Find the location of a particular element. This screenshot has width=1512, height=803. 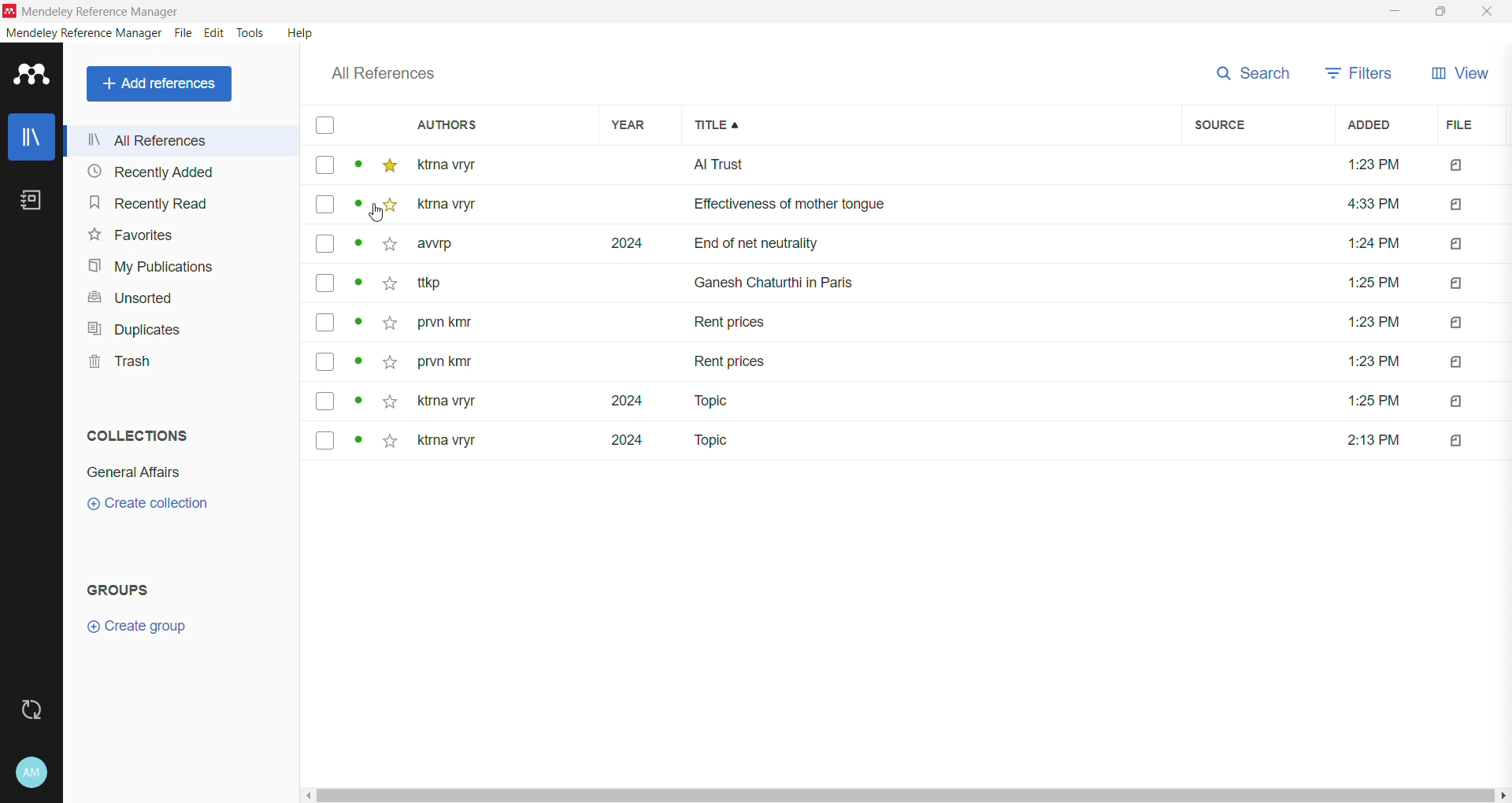

1:23pm is located at coordinates (1365, 168).